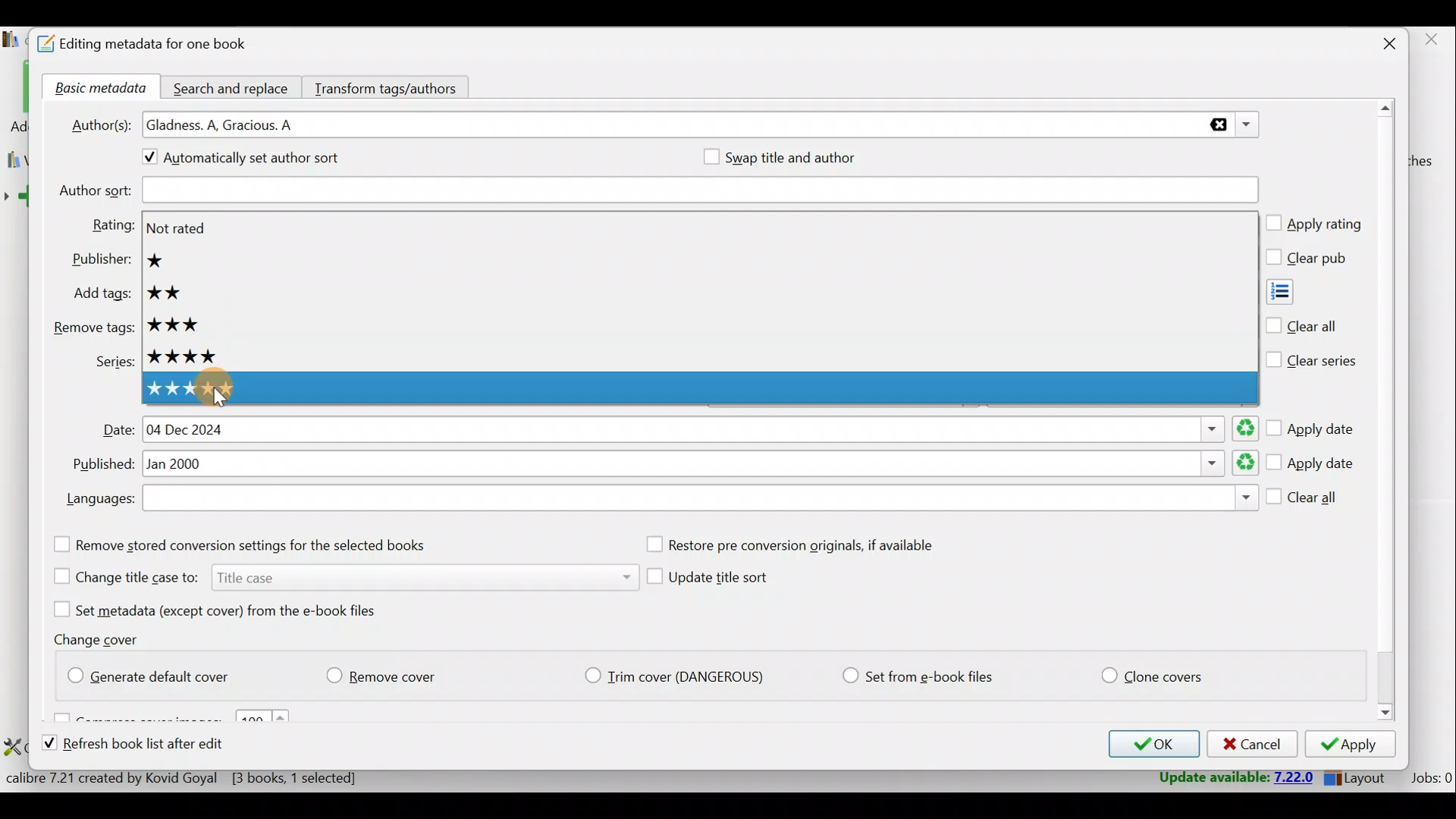 The image size is (1456, 819). What do you see at coordinates (1234, 778) in the screenshot?
I see `Update` at bounding box center [1234, 778].